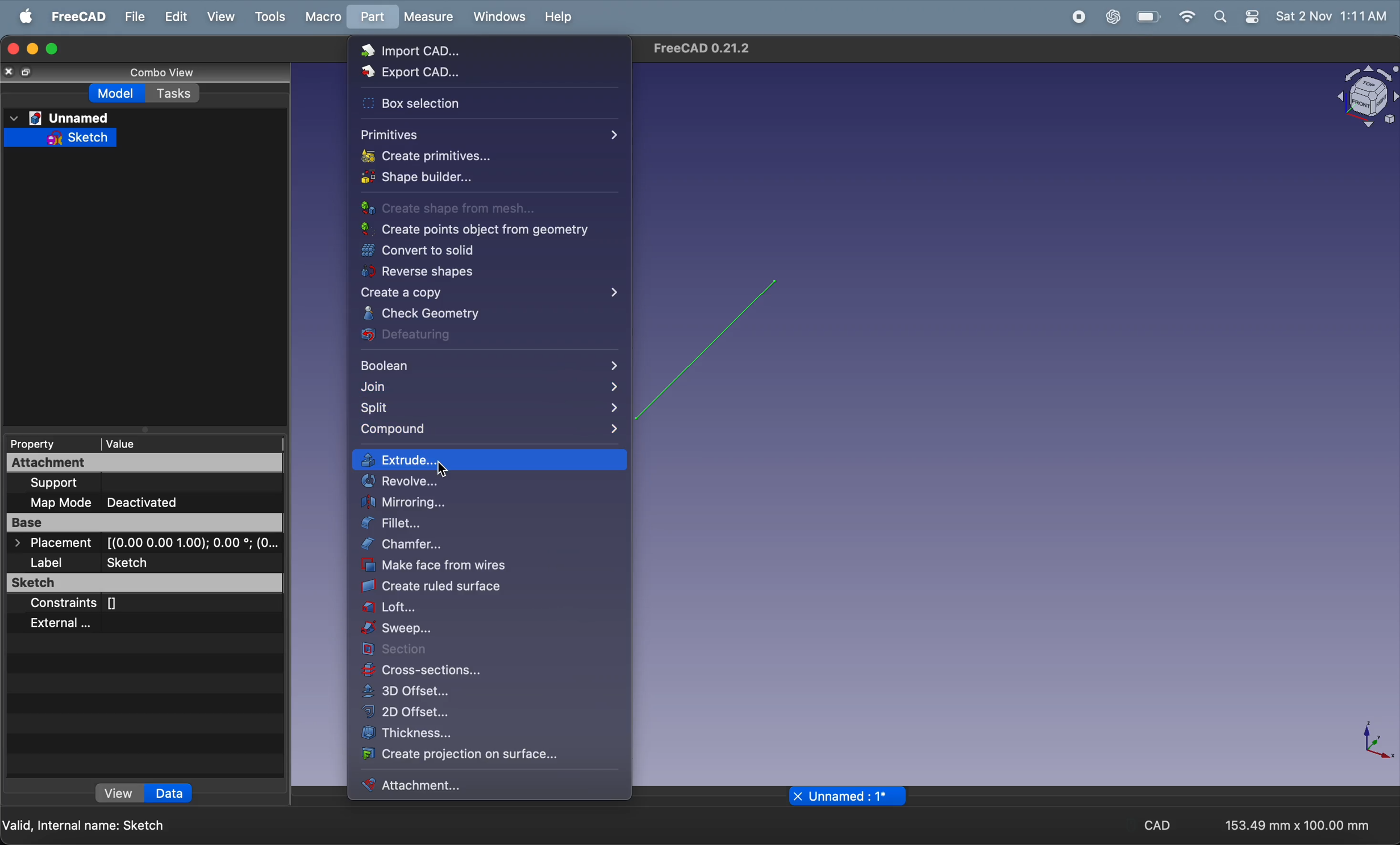 The height and width of the screenshot is (845, 1400). I want to click on unnamed, so click(846, 796).